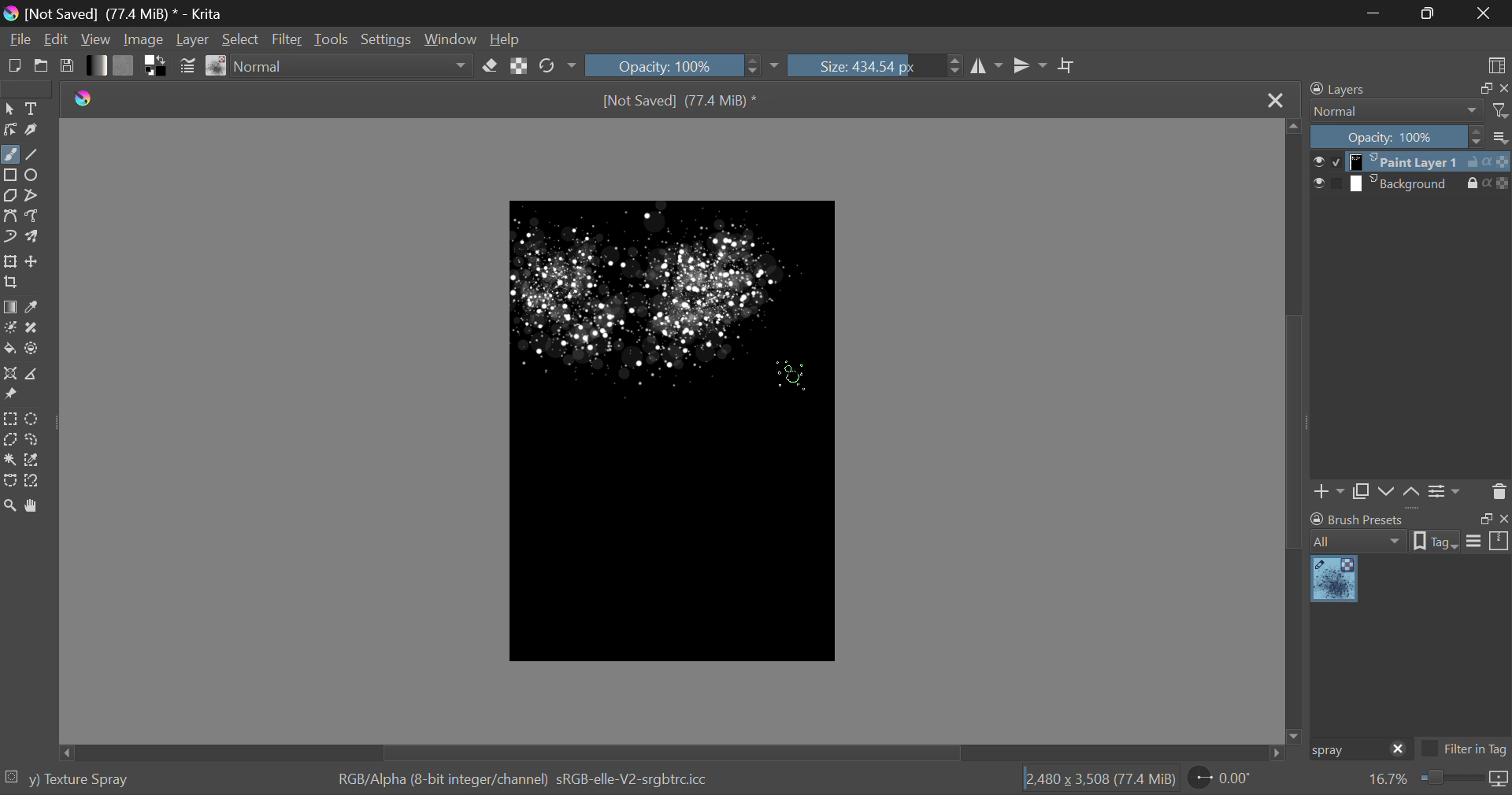 The height and width of the screenshot is (795, 1512). What do you see at coordinates (676, 752) in the screenshot?
I see `Scroll Bar` at bounding box center [676, 752].